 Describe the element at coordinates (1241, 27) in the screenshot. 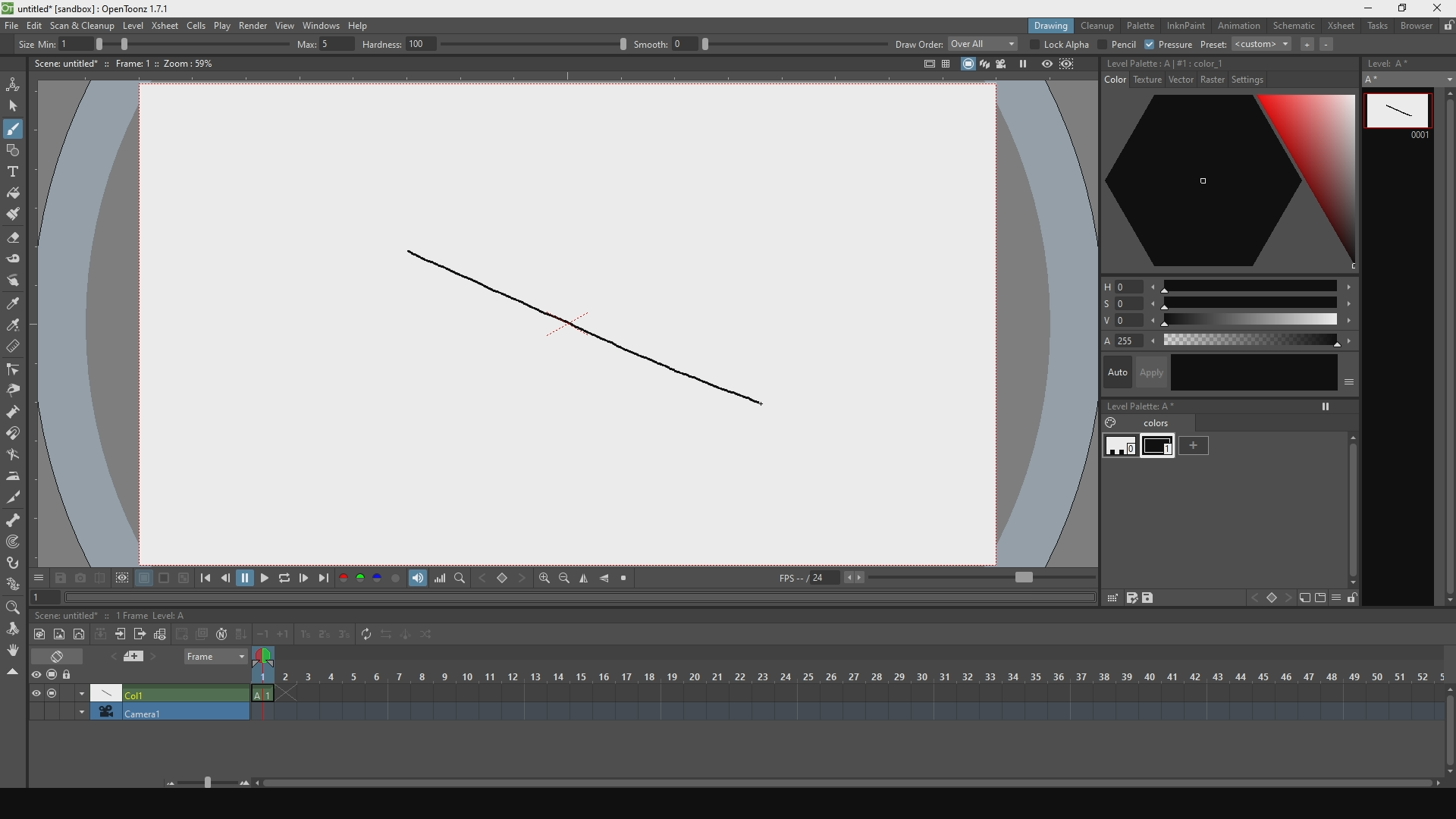

I see `animation` at that location.